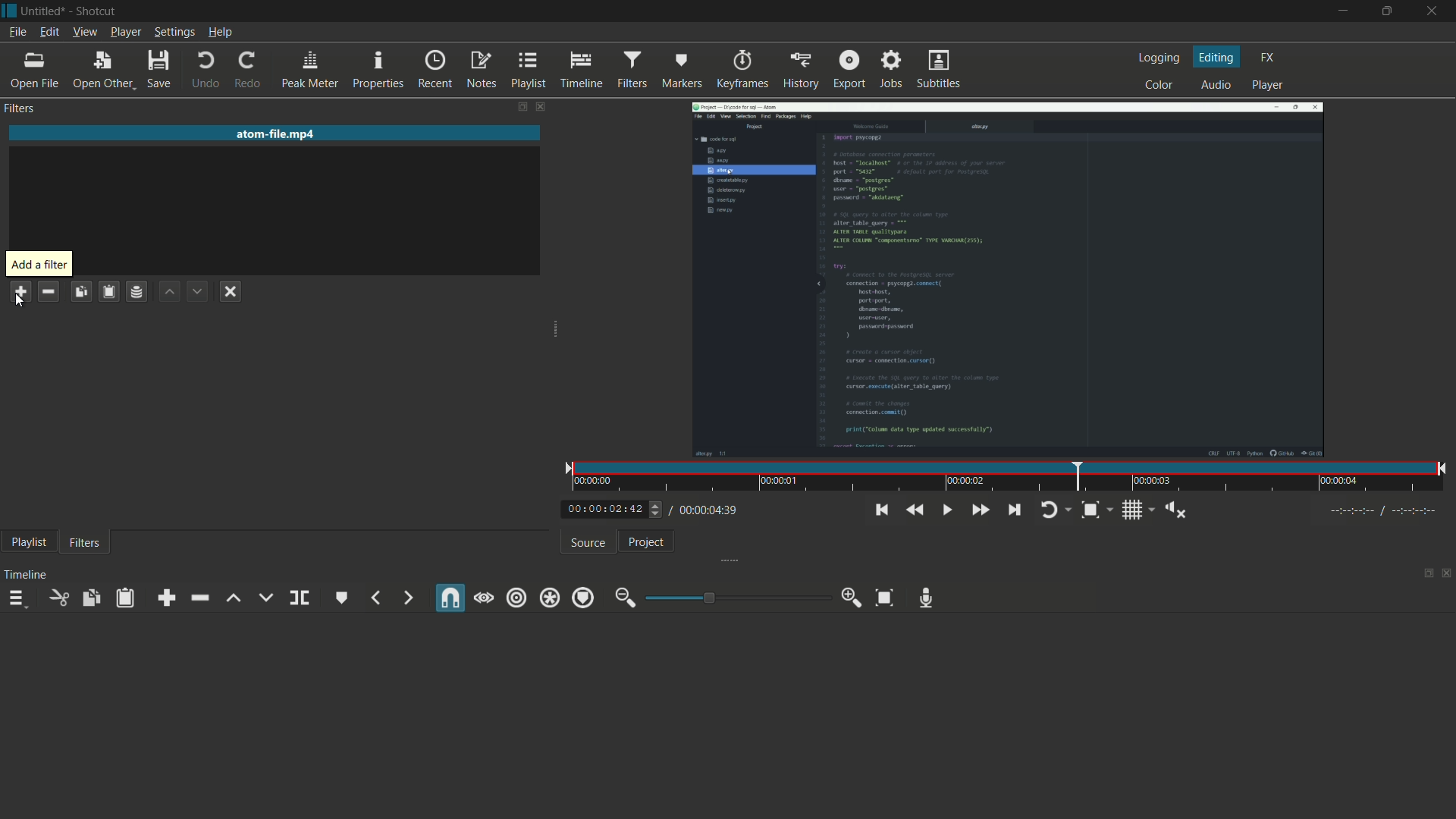  I want to click on undo, so click(206, 72).